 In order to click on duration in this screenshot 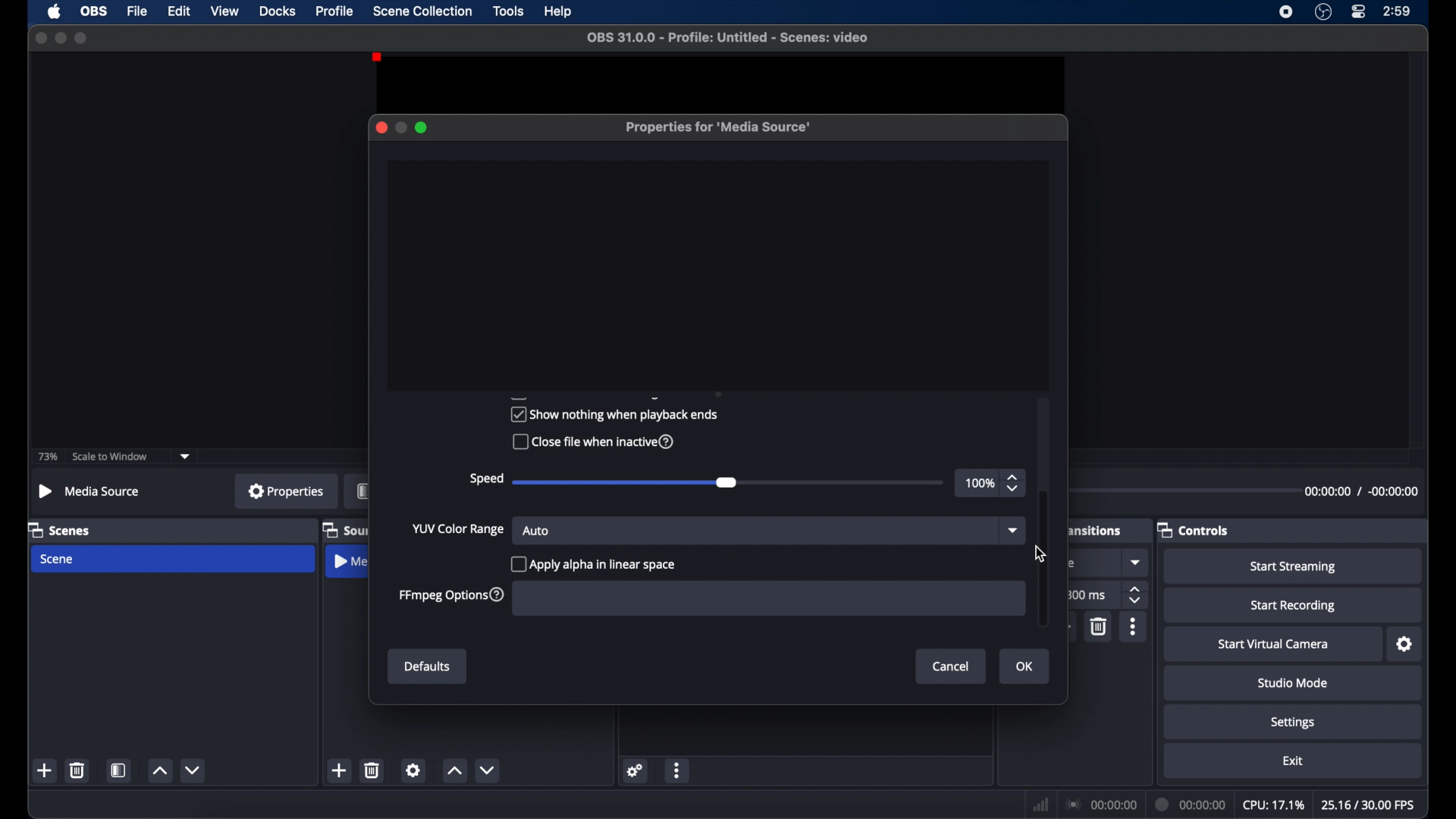, I will do `click(1191, 805)`.